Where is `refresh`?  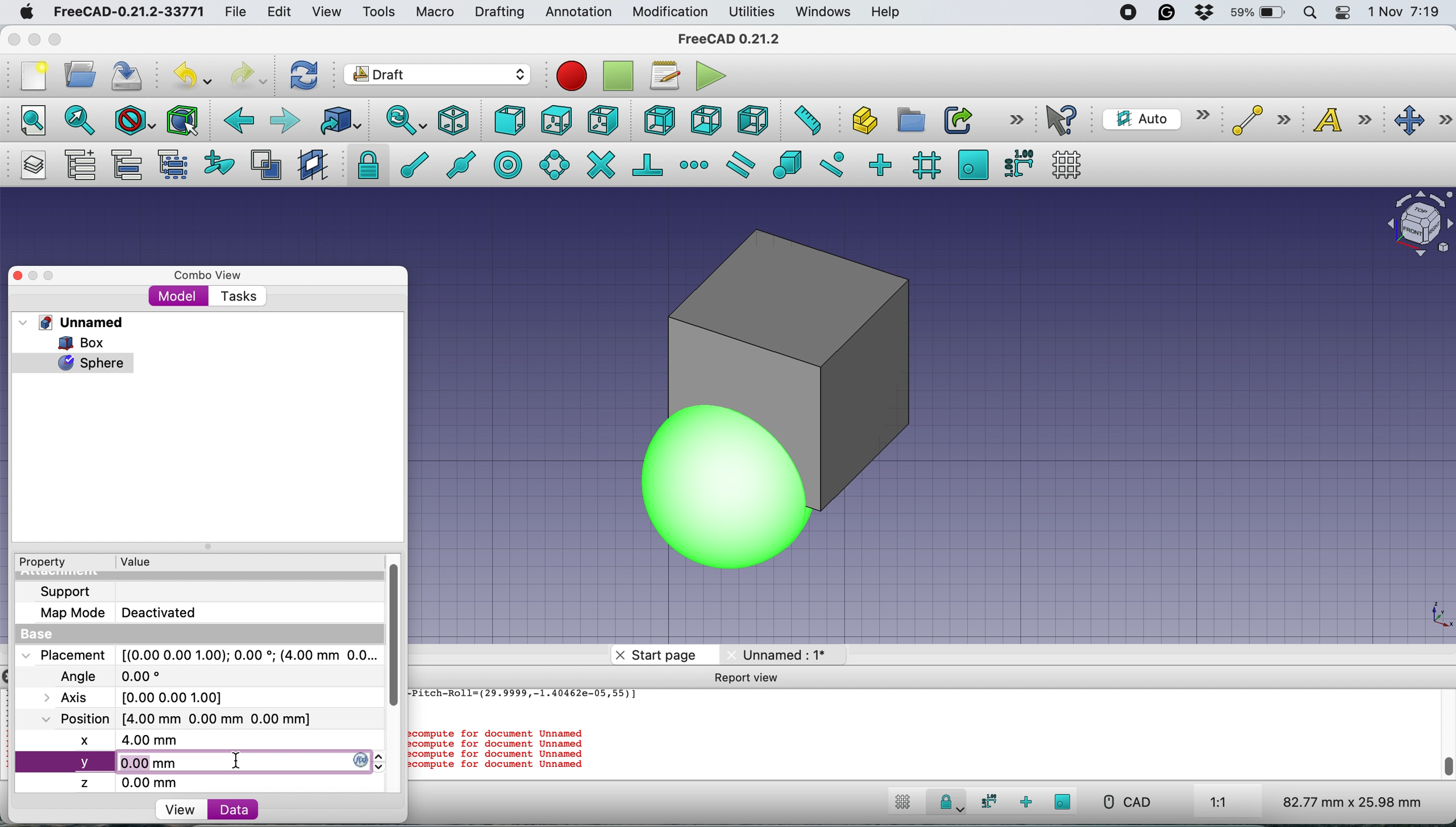
refresh is located at coordinates (302, 74).